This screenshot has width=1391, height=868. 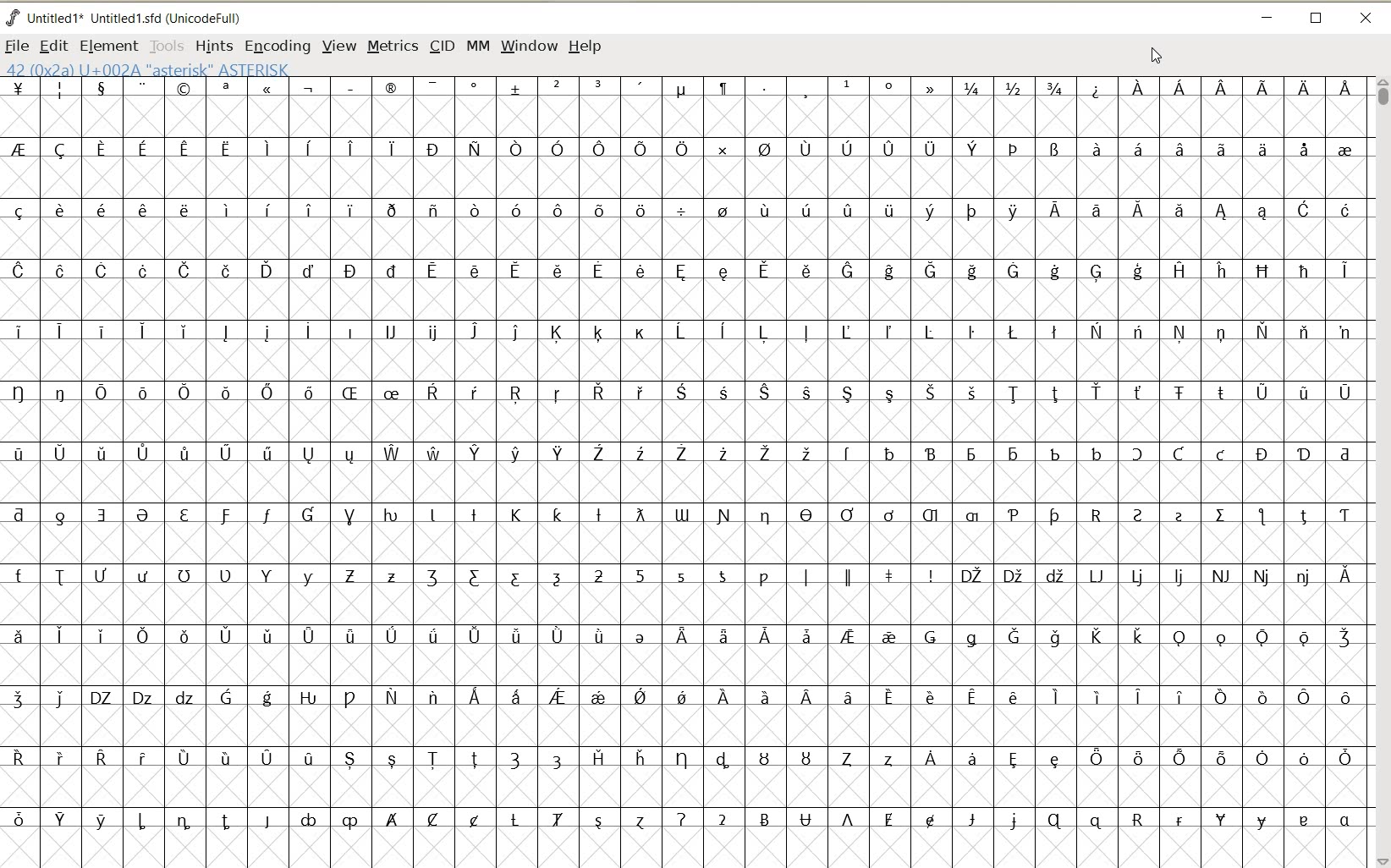 I want to click on CURSOR, so click(x=1156, y=57).